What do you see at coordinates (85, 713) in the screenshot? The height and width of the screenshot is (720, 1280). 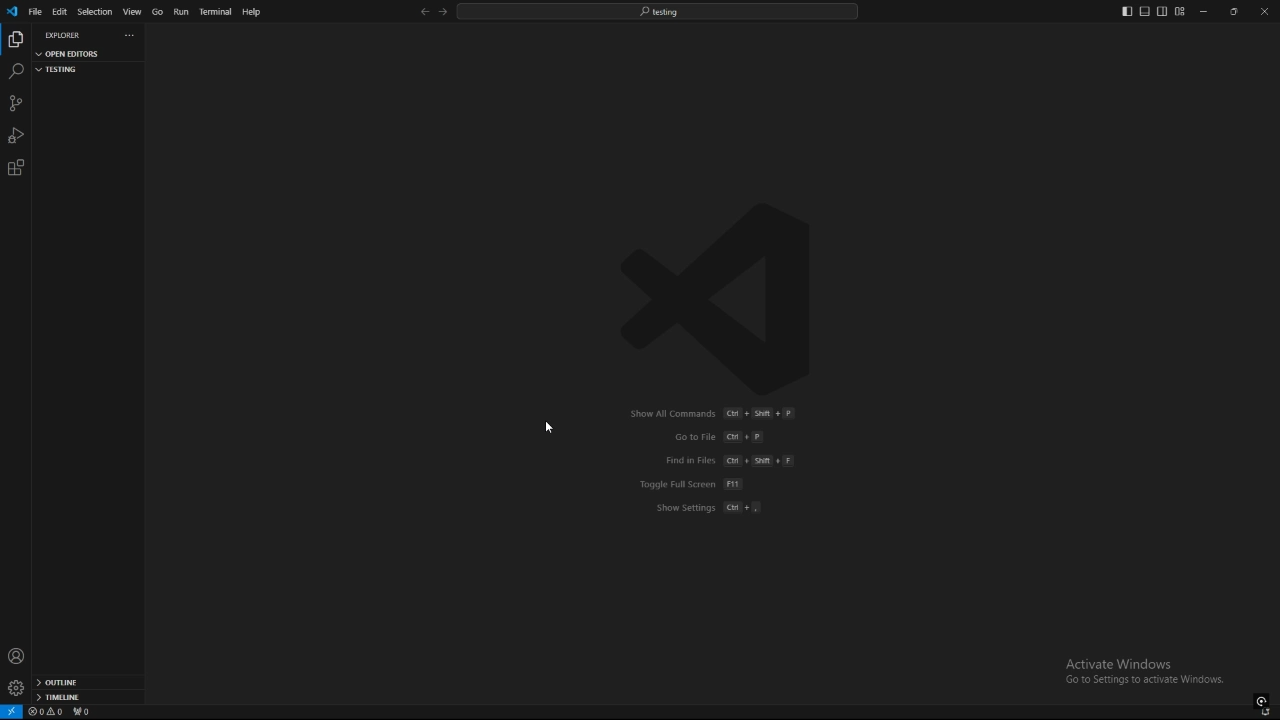 I see `ports forwarded` at bounding box center [85, 713].